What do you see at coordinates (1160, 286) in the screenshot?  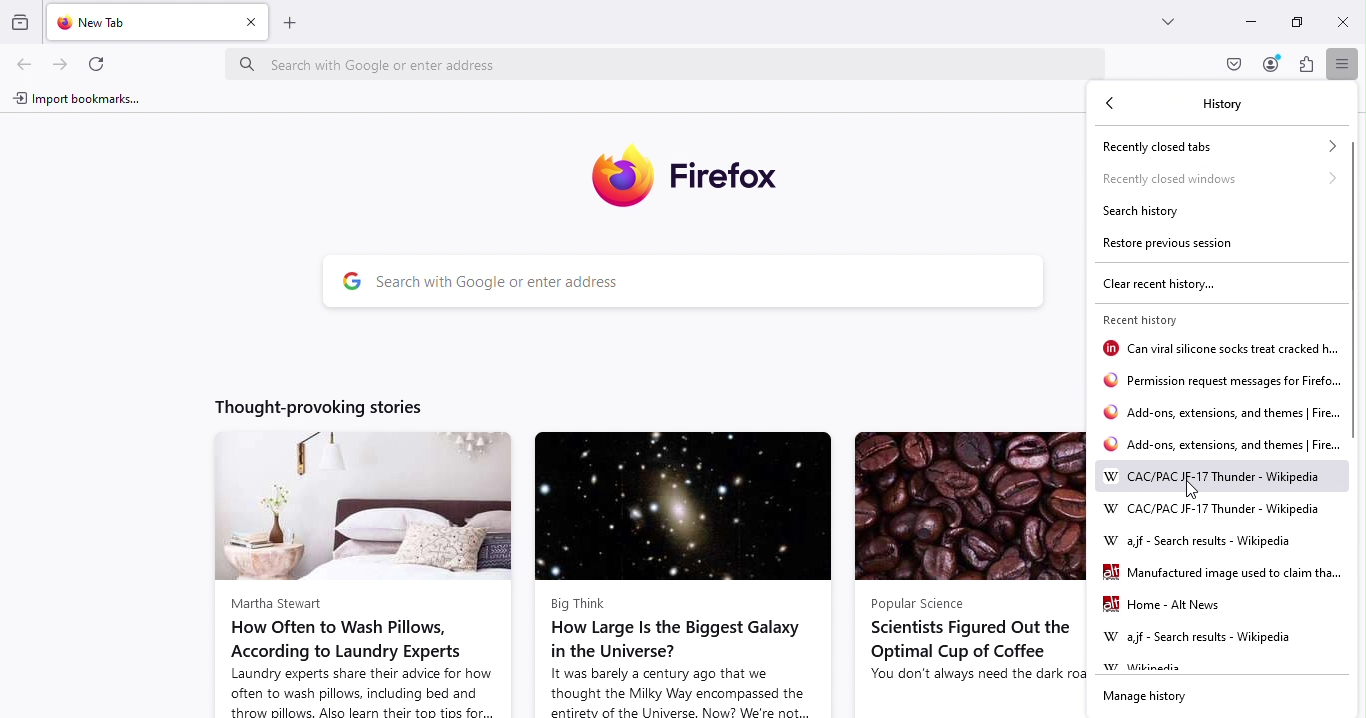 I see `Clear recent history` at bounding box center [1160, 286].